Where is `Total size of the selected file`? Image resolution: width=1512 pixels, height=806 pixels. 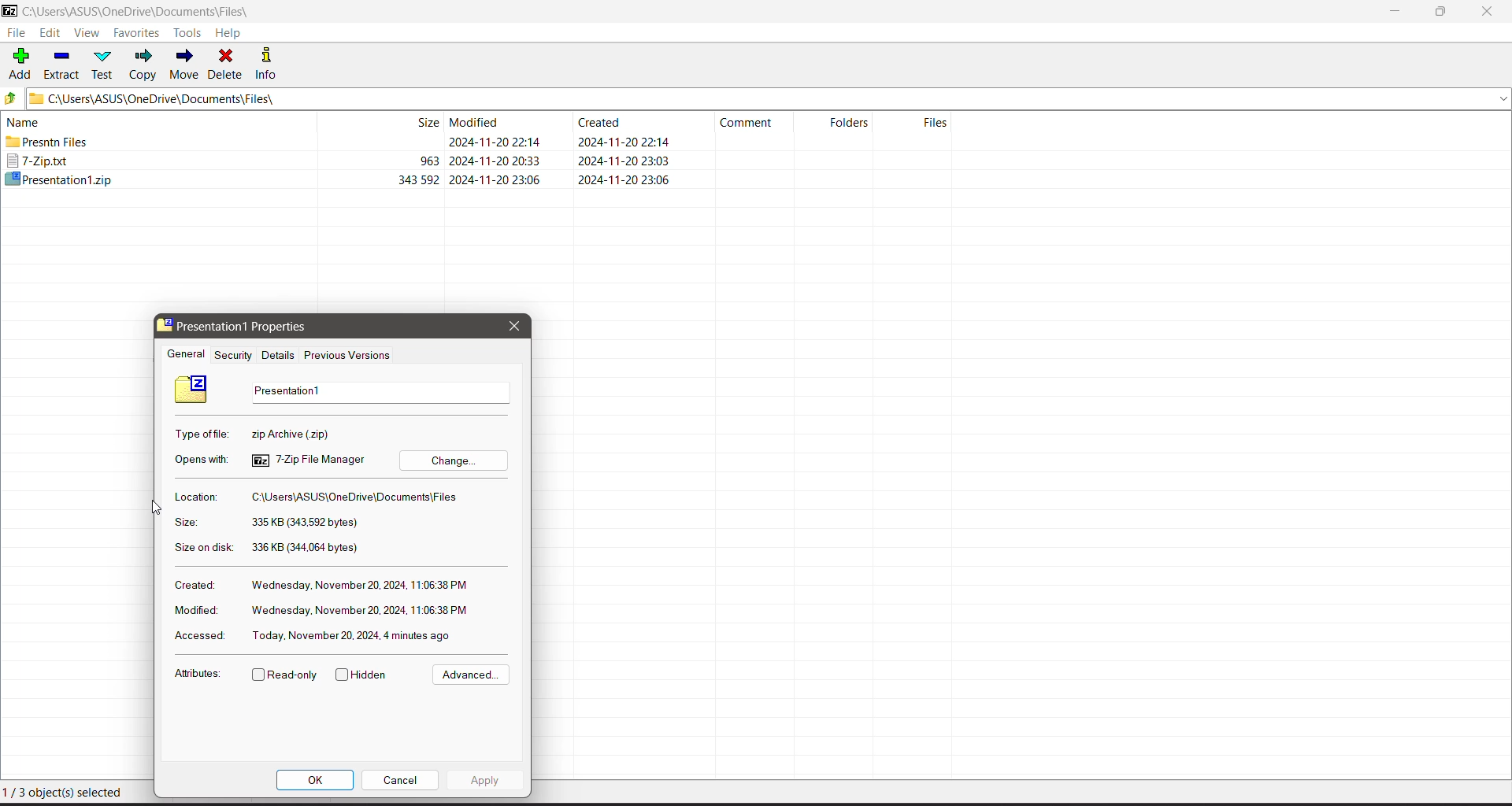 Total size of the selected file is located at coordinates (306, 548).